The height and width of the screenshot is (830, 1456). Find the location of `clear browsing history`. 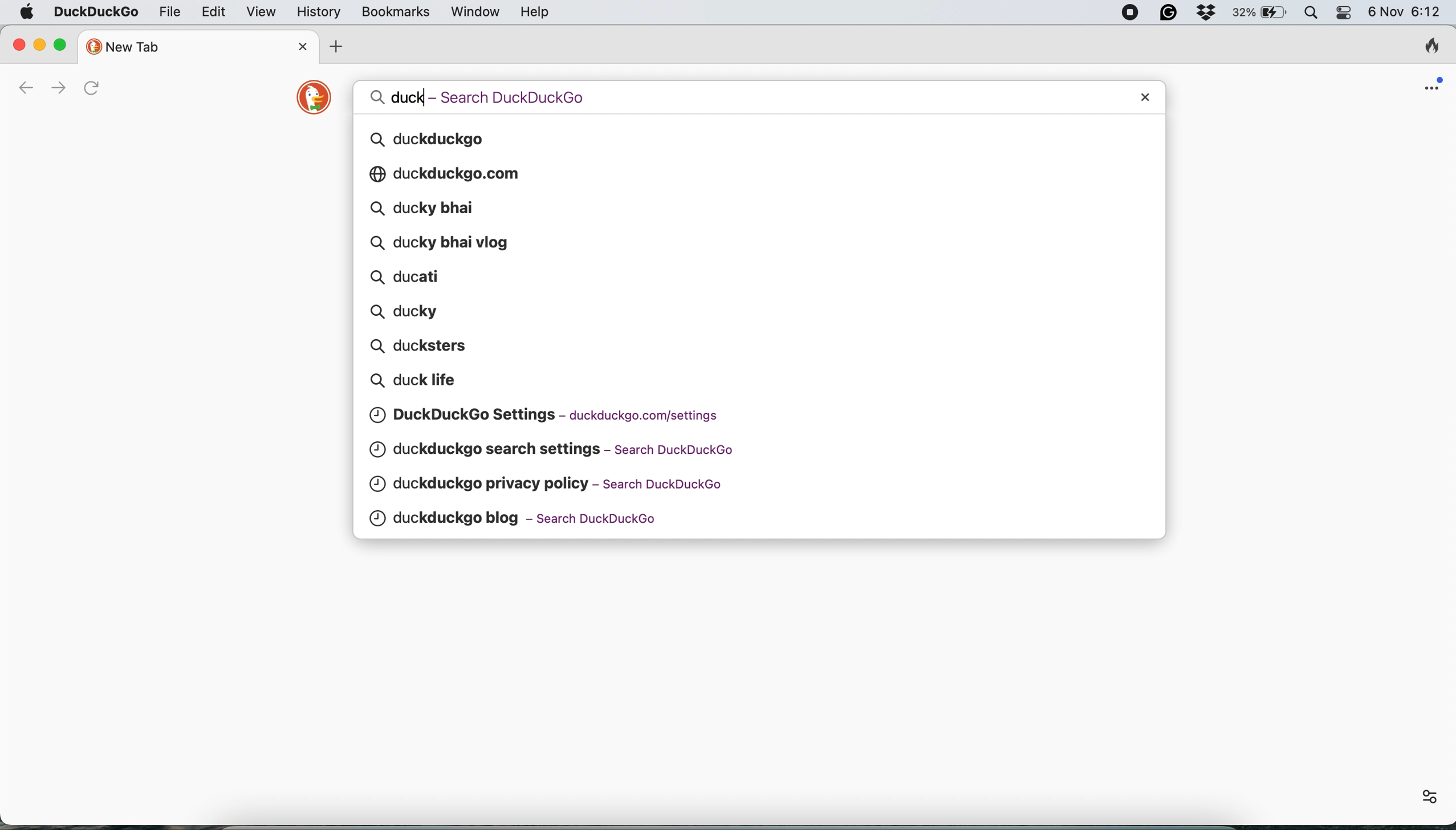

clear browsing history is located at coordinates (1431, 48).